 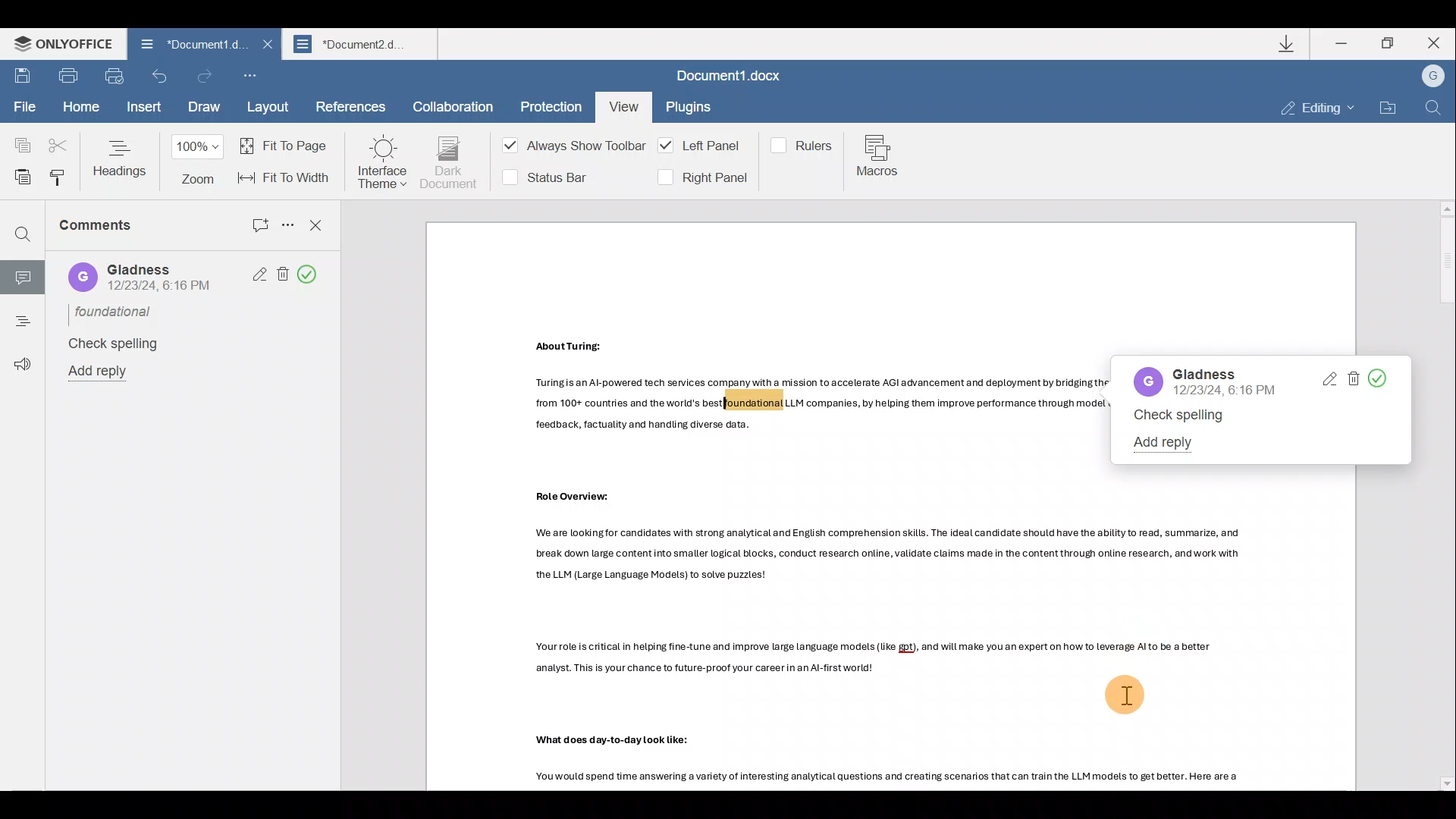 I want to click on View, so click(x=622, y=104).